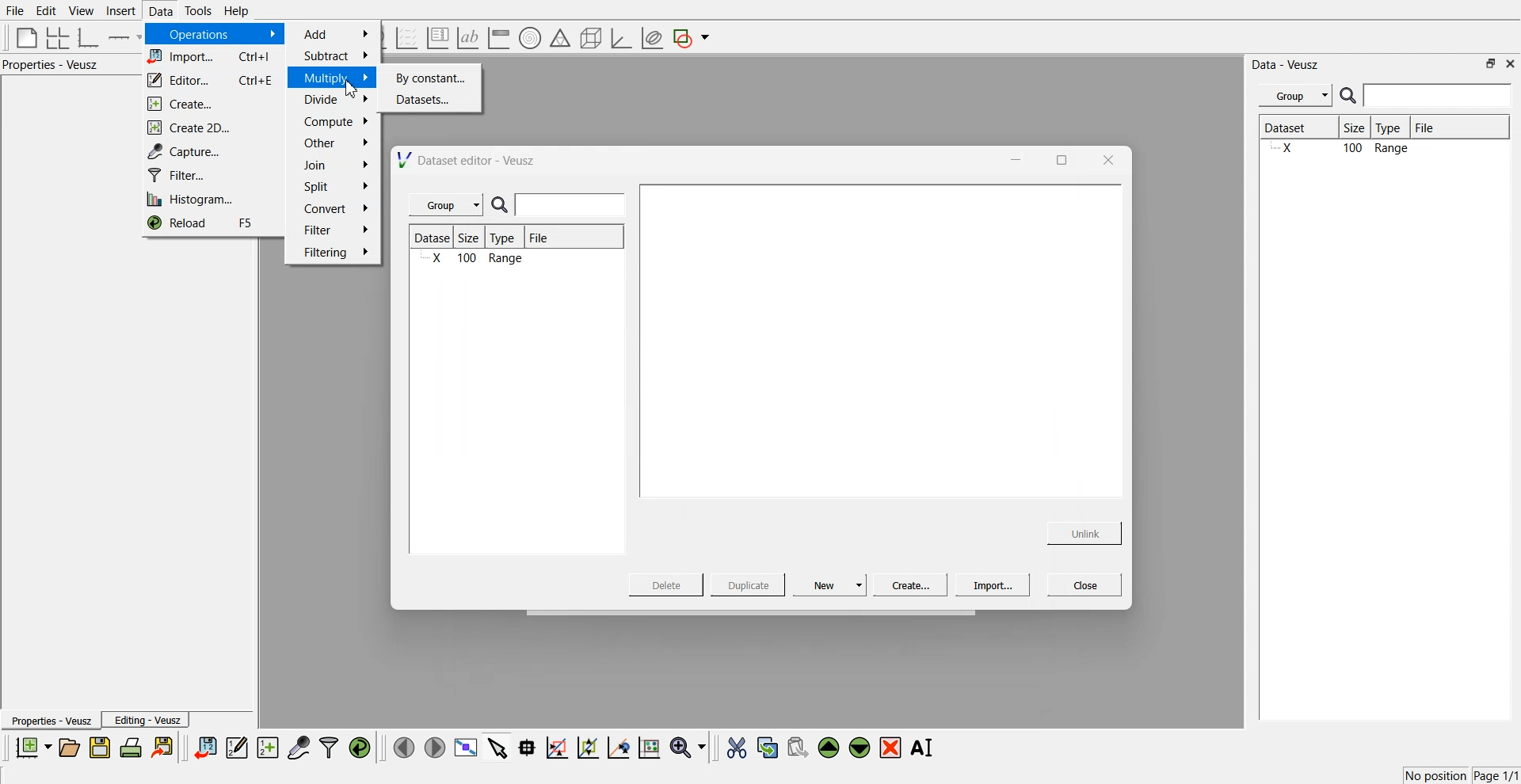 The image size is (1521, 784). Describe the element at coordinates (135, 747) in the screenshot. I see `print` at that location.